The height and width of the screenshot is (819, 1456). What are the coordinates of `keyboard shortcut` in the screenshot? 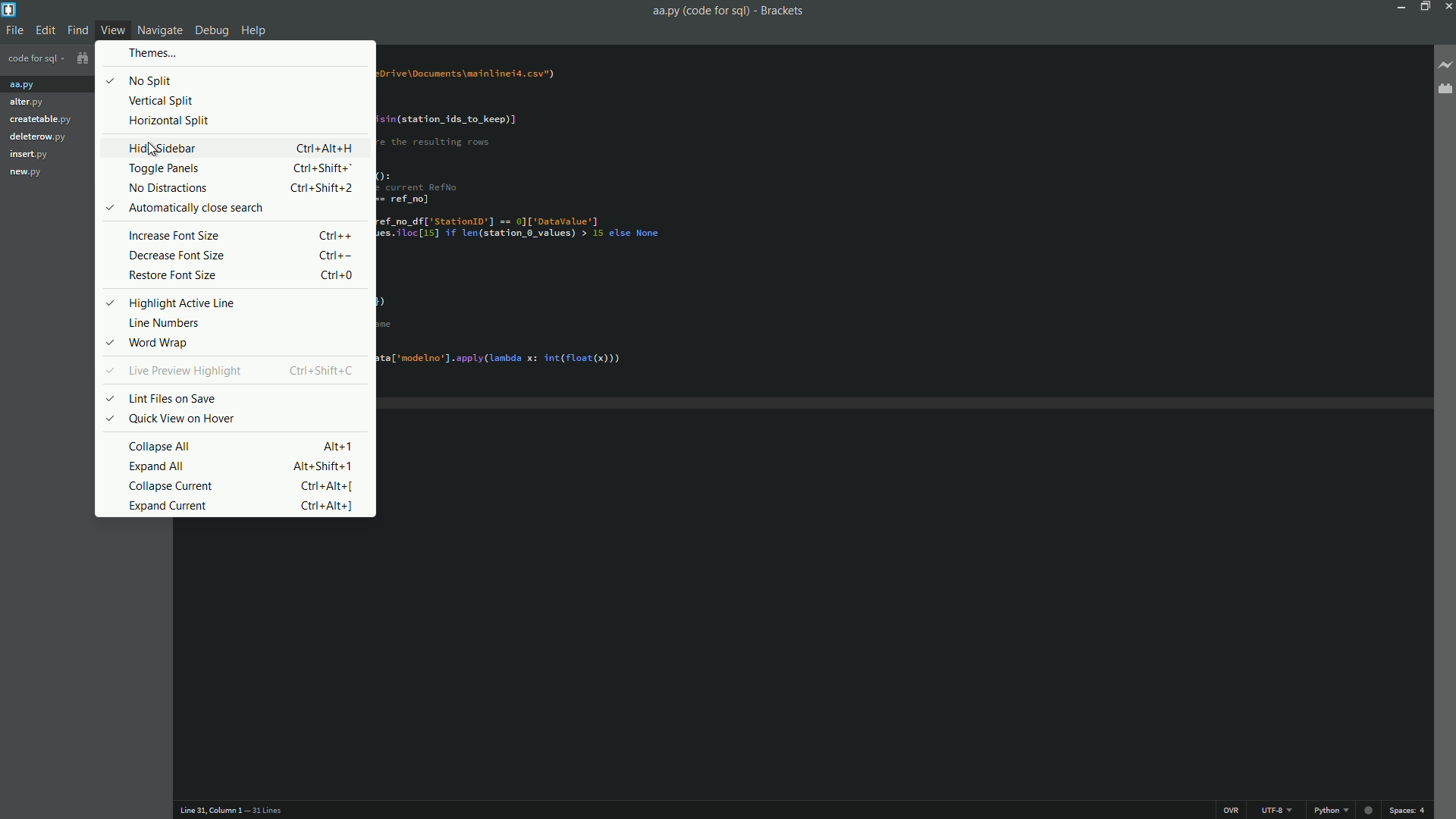 It's located at (336, 446).